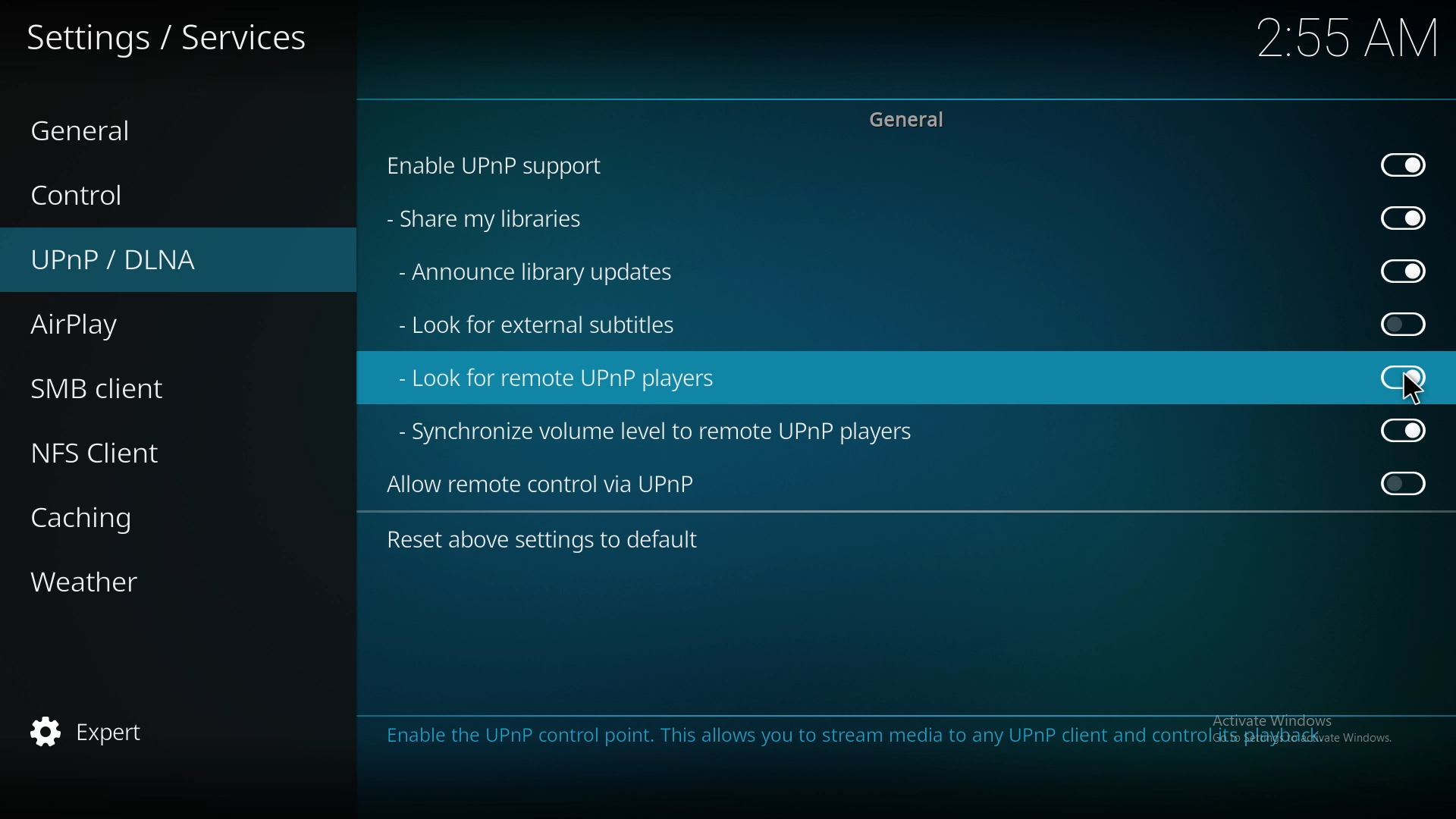 The height and width of the screenshot is (819, 1456). Describe the element at coordinates (105, 127) in the screenshot. I see `general` at that location.